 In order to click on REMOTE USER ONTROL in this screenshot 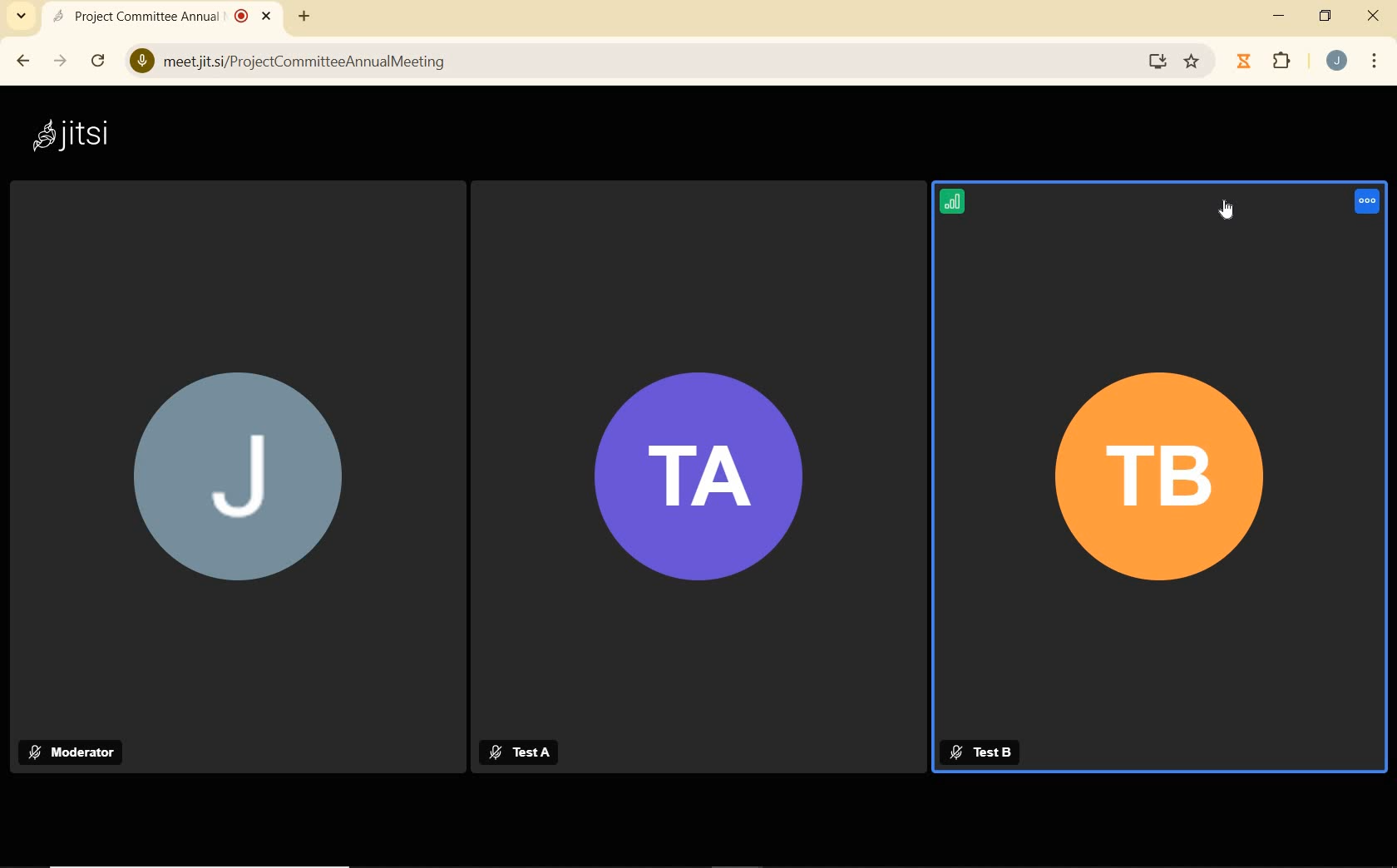, I will do `click(1370, 205)`.